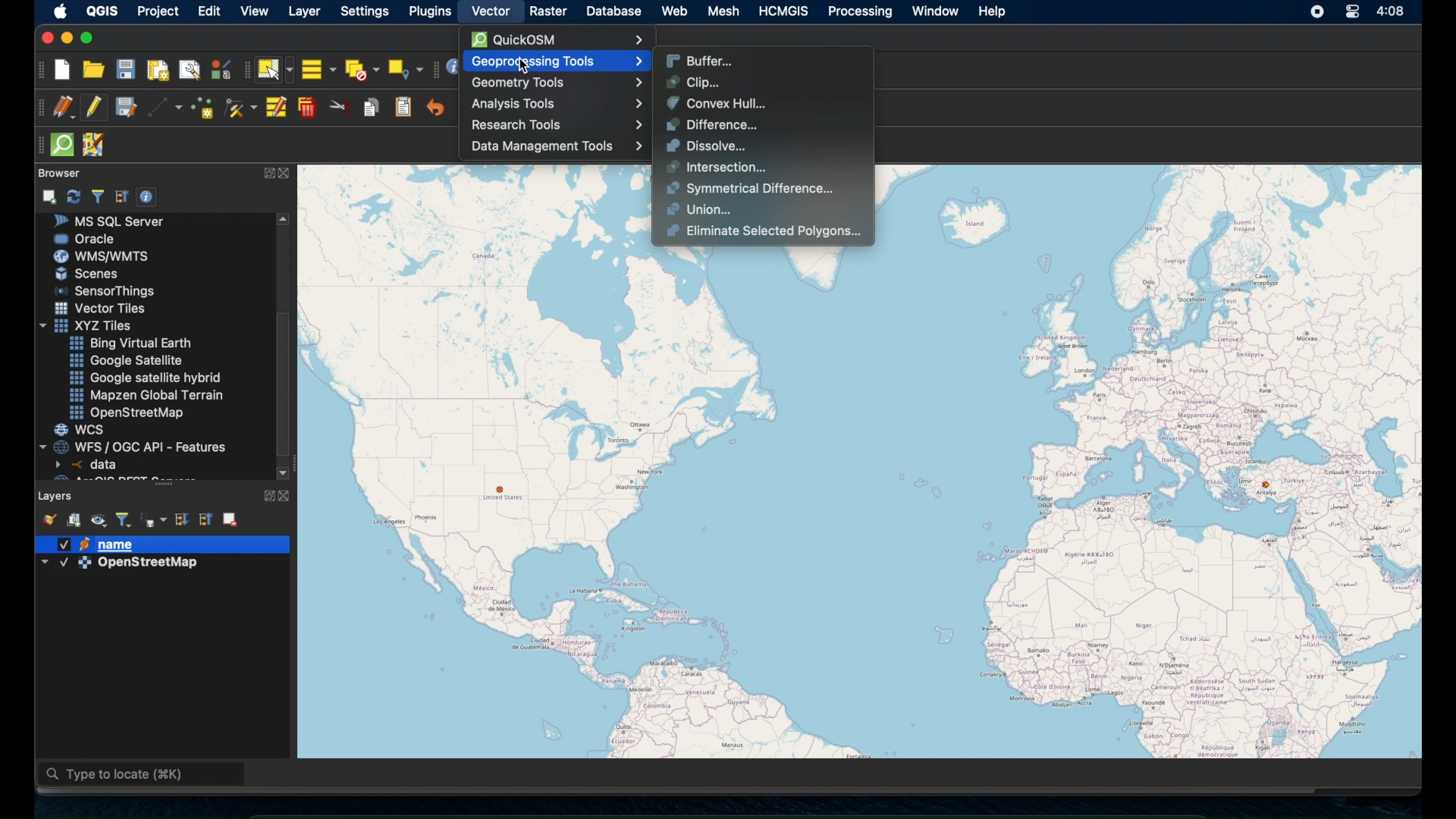  I want to click on Eliminate Selected Polygons..., so click(762, 231).